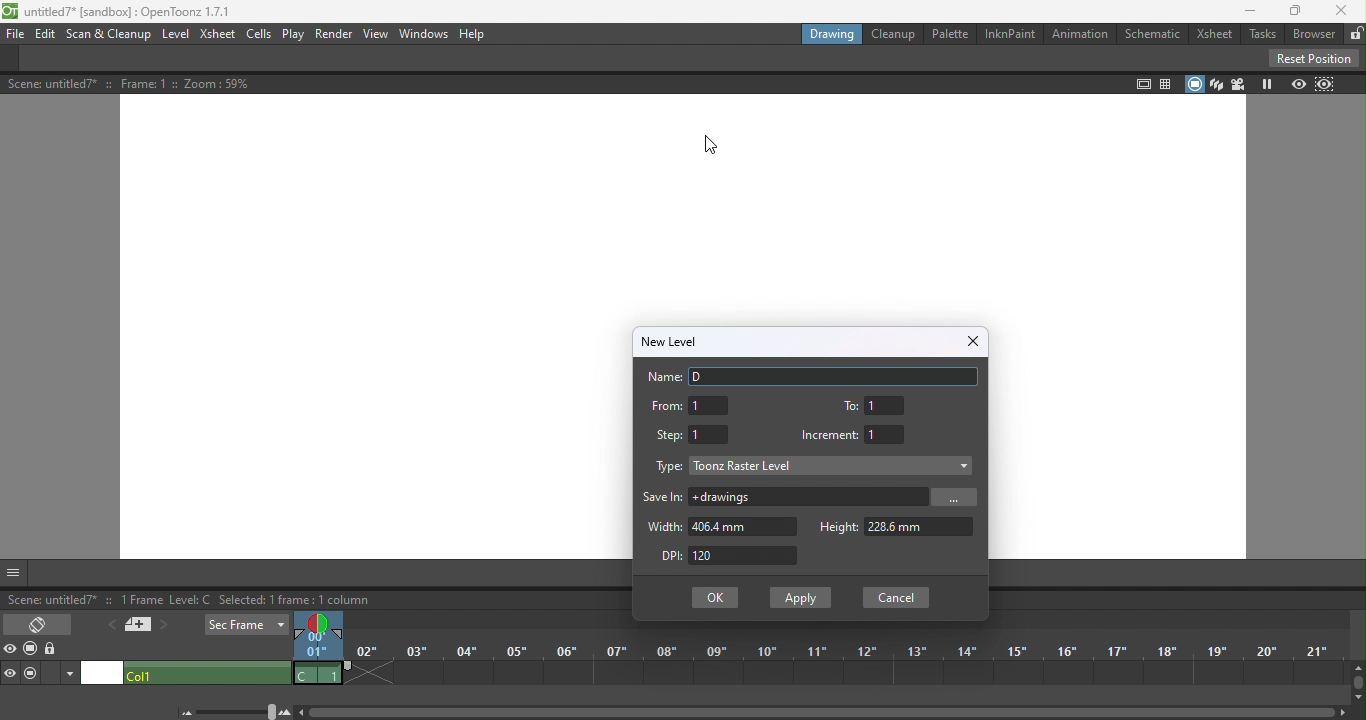  What do you see at coordinates (737, 557) in the screenshot?
I see `DPI` at bounding box center [737, 557].